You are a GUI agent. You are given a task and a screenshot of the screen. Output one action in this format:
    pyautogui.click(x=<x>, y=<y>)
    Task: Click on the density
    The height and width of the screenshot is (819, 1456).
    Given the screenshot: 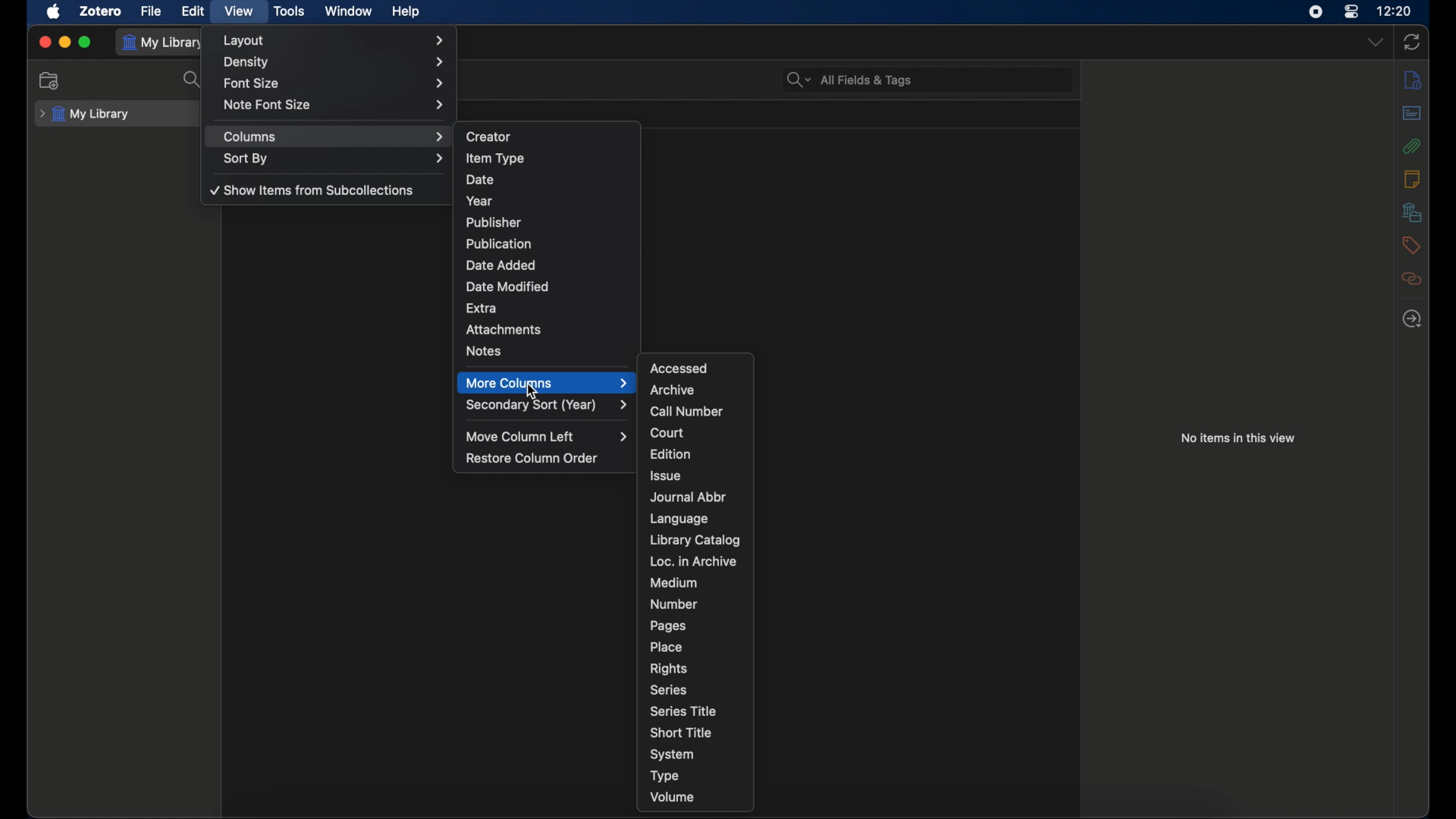 What is the action you would take?
    pyautogui.click(x=335, y=62)
    